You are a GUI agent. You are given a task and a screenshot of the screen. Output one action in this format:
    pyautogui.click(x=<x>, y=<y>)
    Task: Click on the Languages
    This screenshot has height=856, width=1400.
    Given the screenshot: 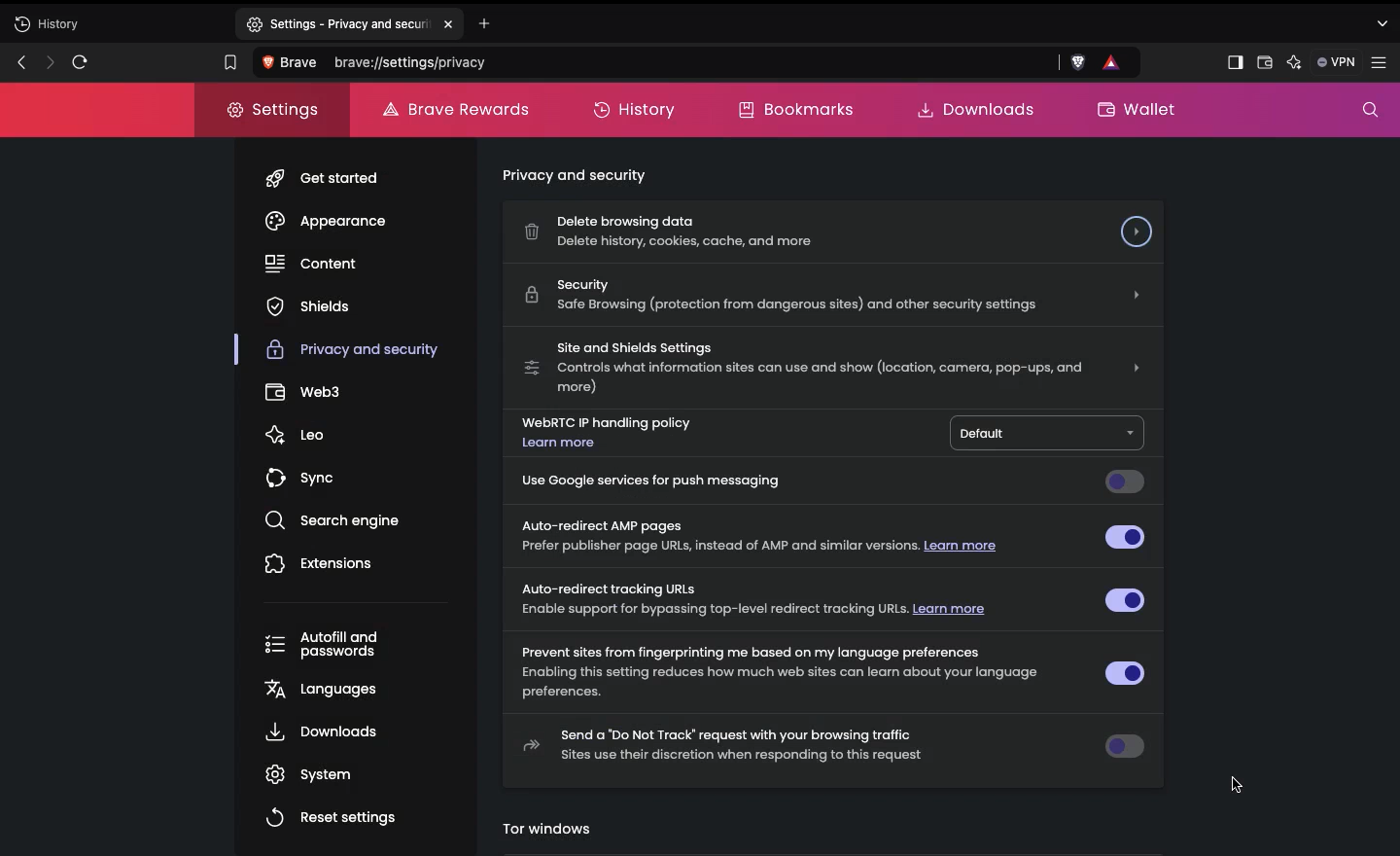 What is the action you would take?
    pyautogui.click(x=324, y=692)
    